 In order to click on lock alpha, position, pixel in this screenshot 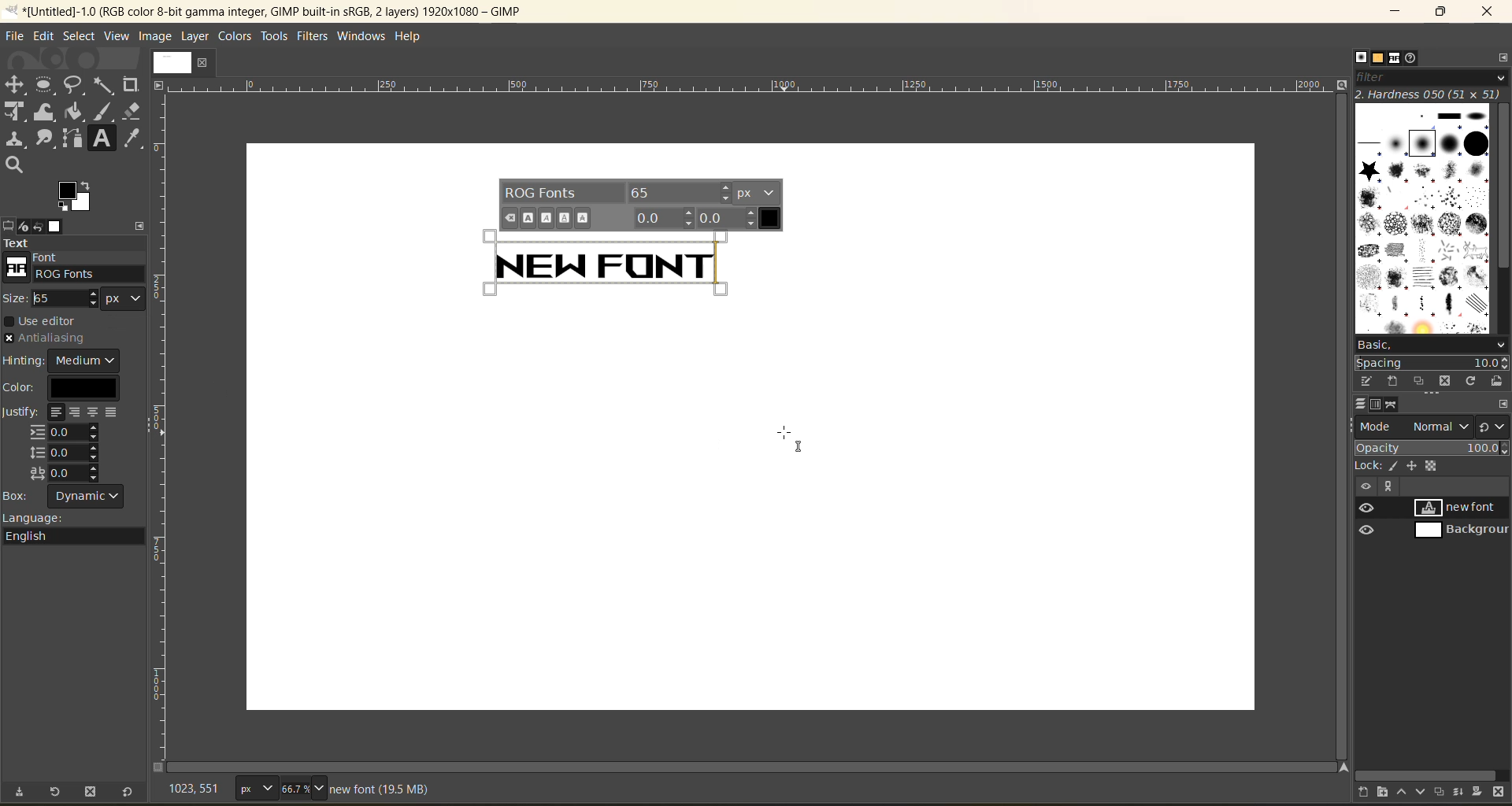, I will do `click(1407, 464)`.